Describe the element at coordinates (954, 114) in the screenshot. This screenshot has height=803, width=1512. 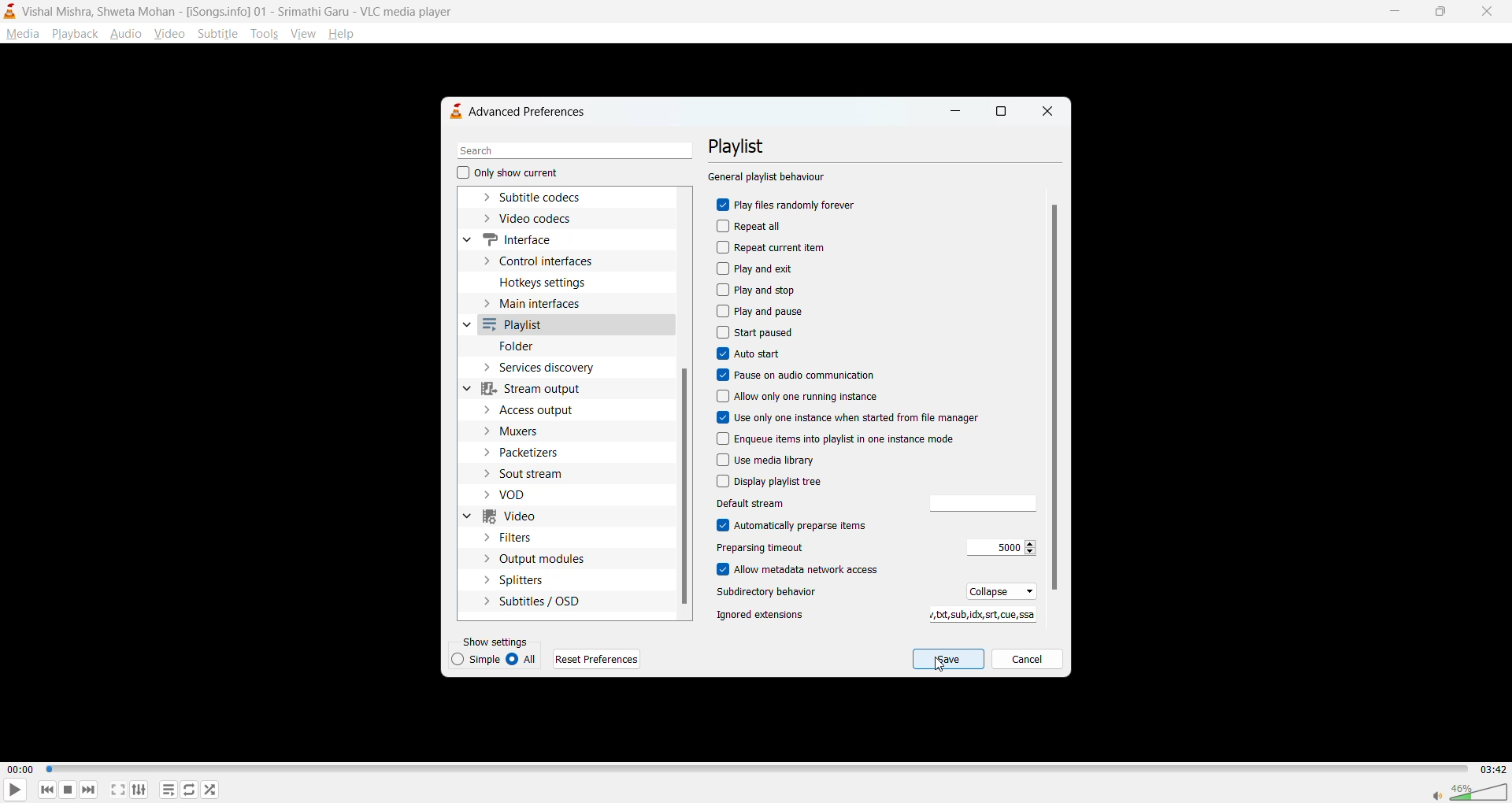
I see `minimize` at that location.